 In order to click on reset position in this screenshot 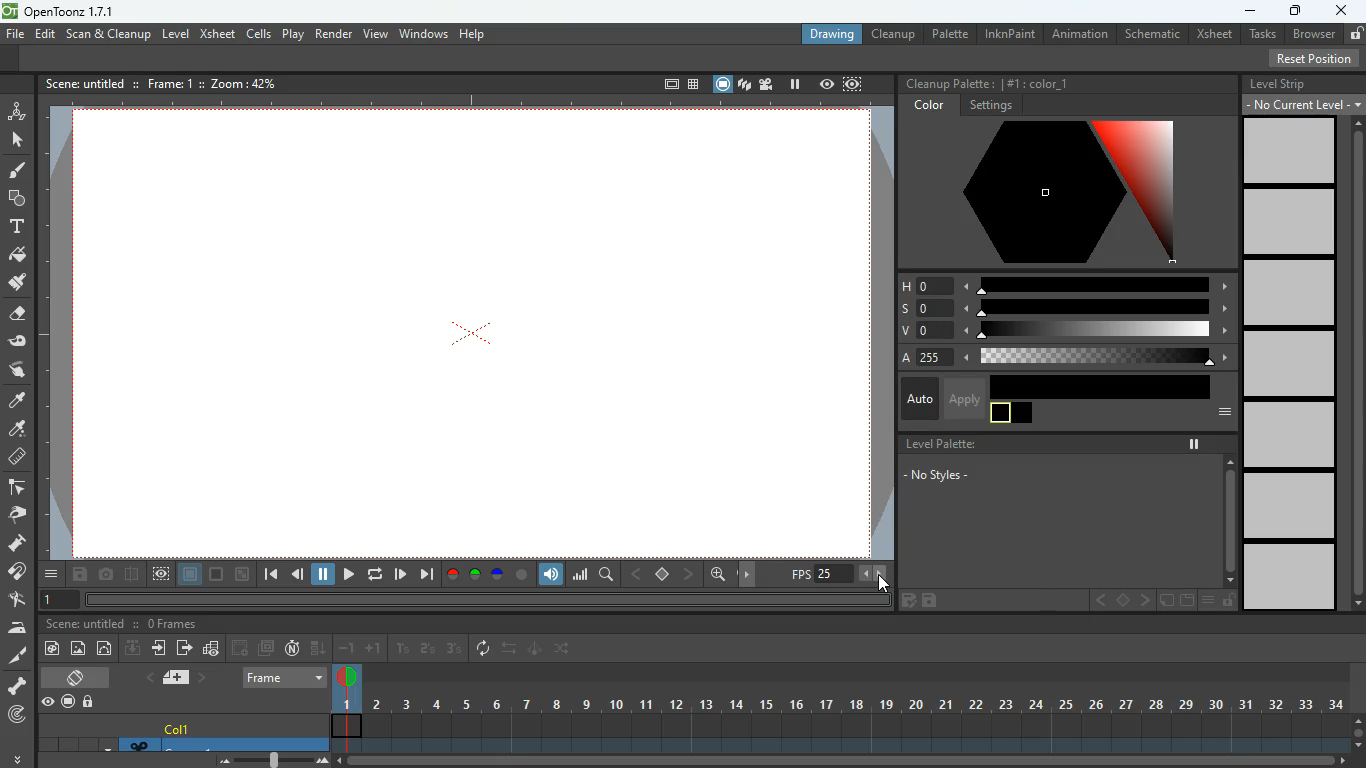, I will do `click(1314, 58)`.